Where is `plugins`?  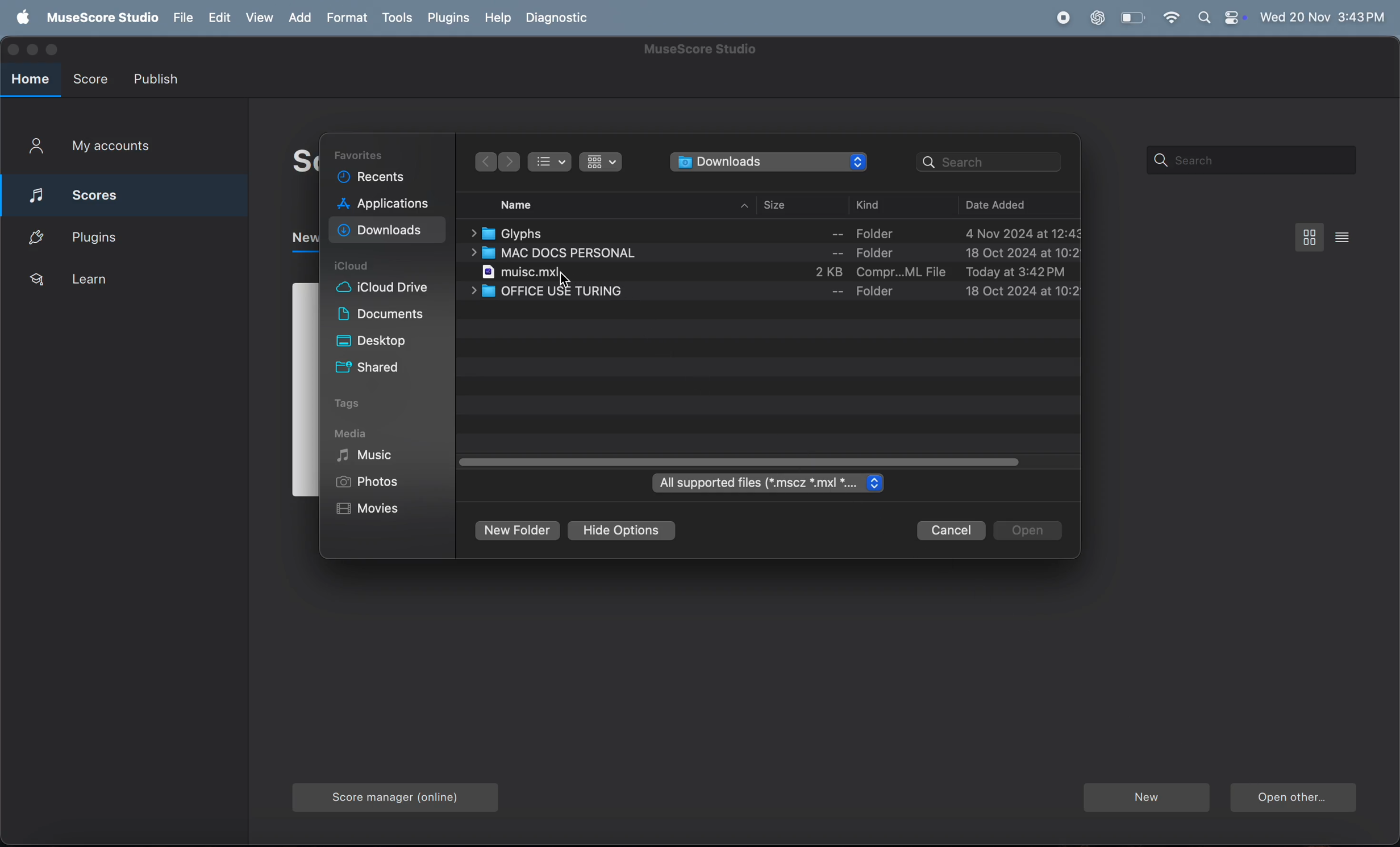 plugins is located at coordinates (126, 237).